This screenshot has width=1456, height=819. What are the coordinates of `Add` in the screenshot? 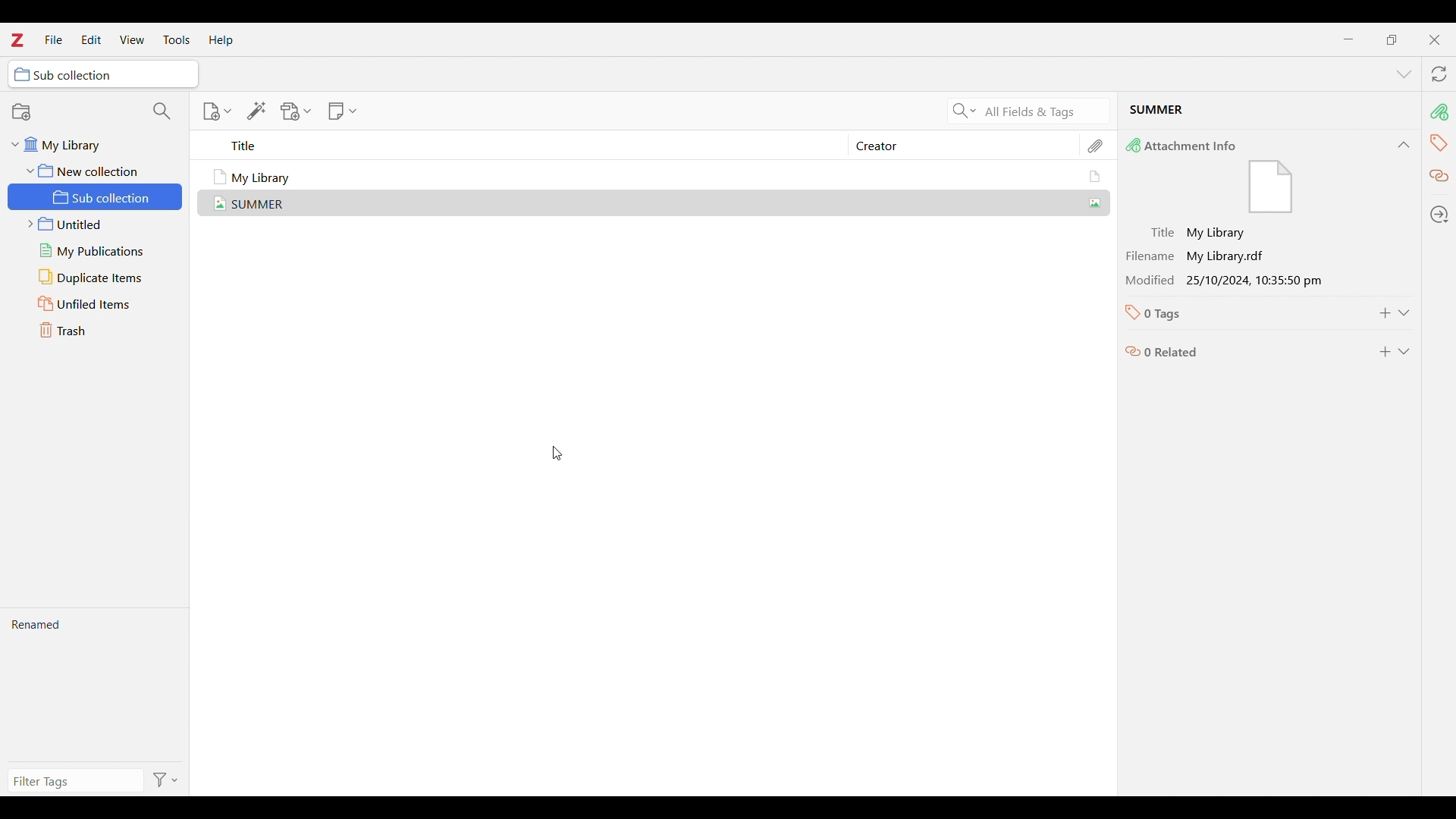 It's located at (1385, 313).